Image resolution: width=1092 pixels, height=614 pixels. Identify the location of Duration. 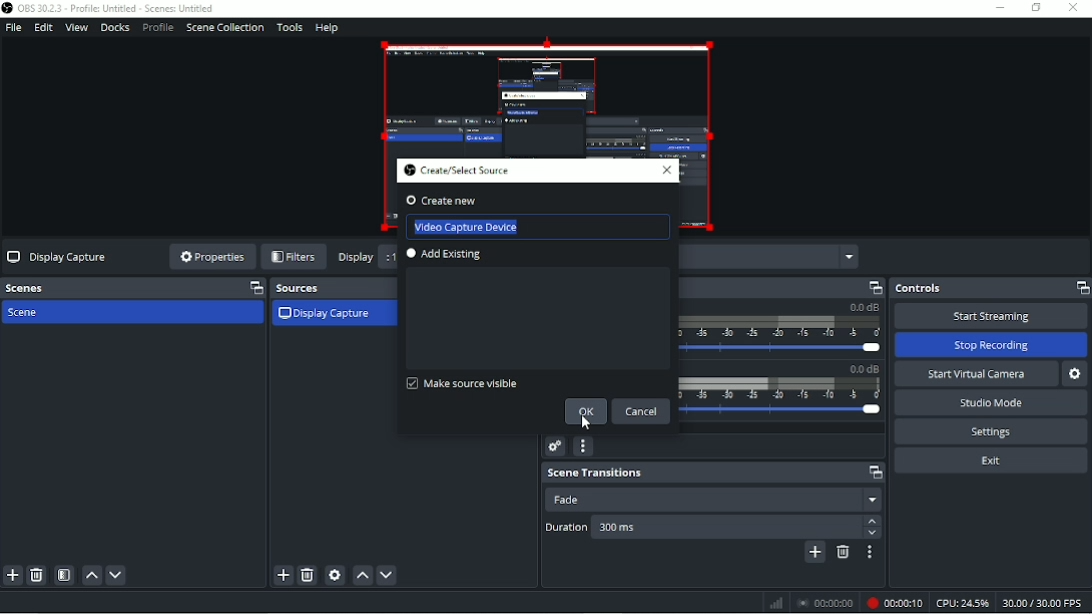
(566, 526).